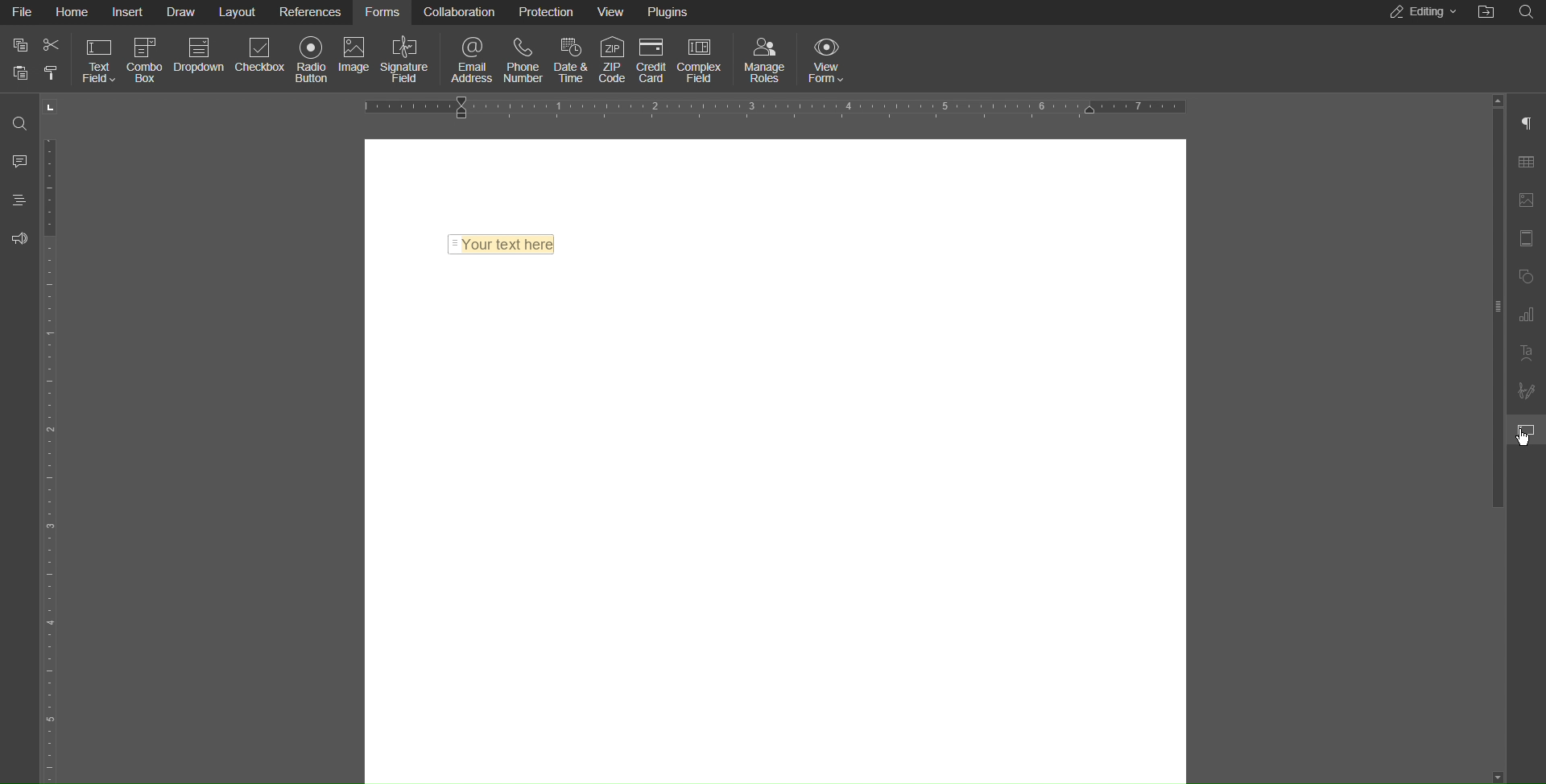 This screenshot has height=784, width=1546. I want to click on Cursor at Field Settings, so click(1522, 438).